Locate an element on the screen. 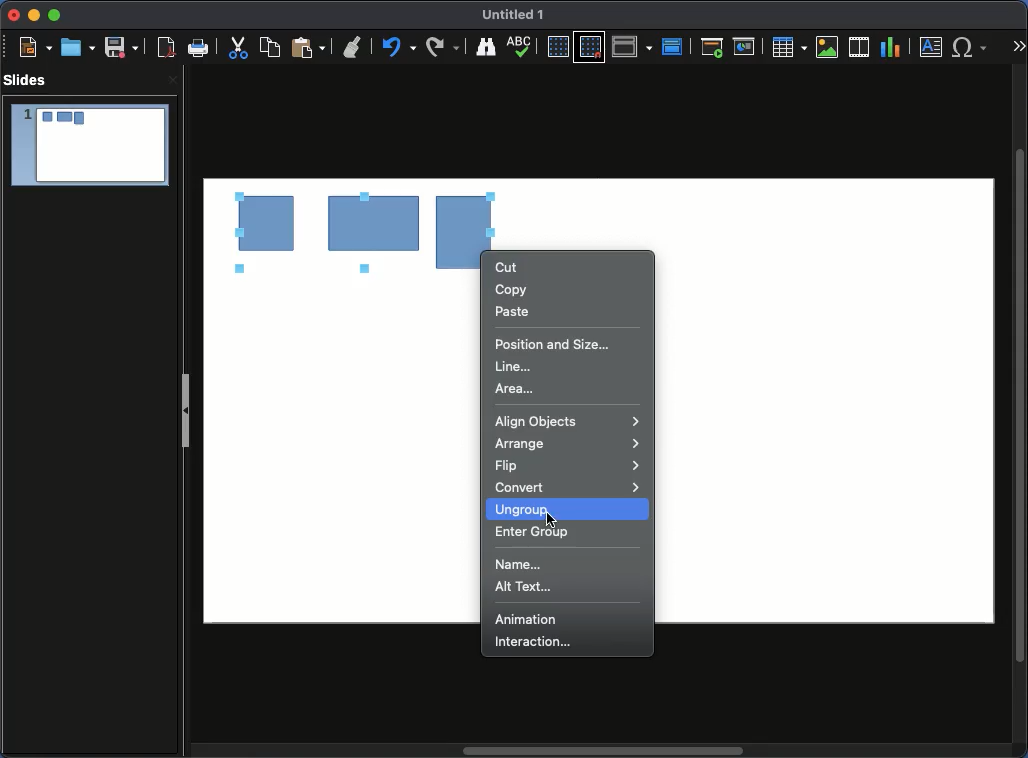  Enter group is located at coordinates (533, 535).